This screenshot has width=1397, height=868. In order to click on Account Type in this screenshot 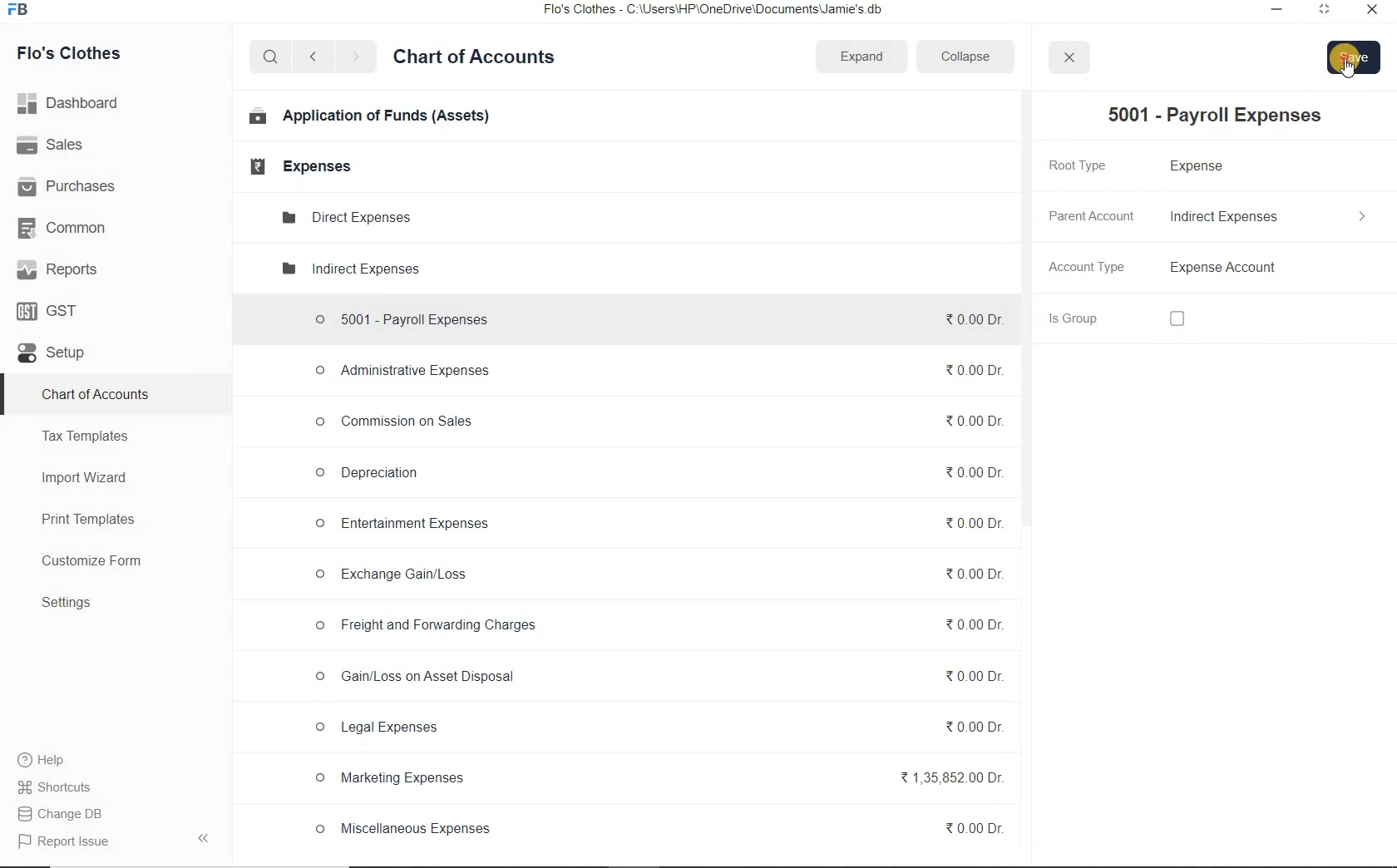, I will do `click(1273, 269)`.